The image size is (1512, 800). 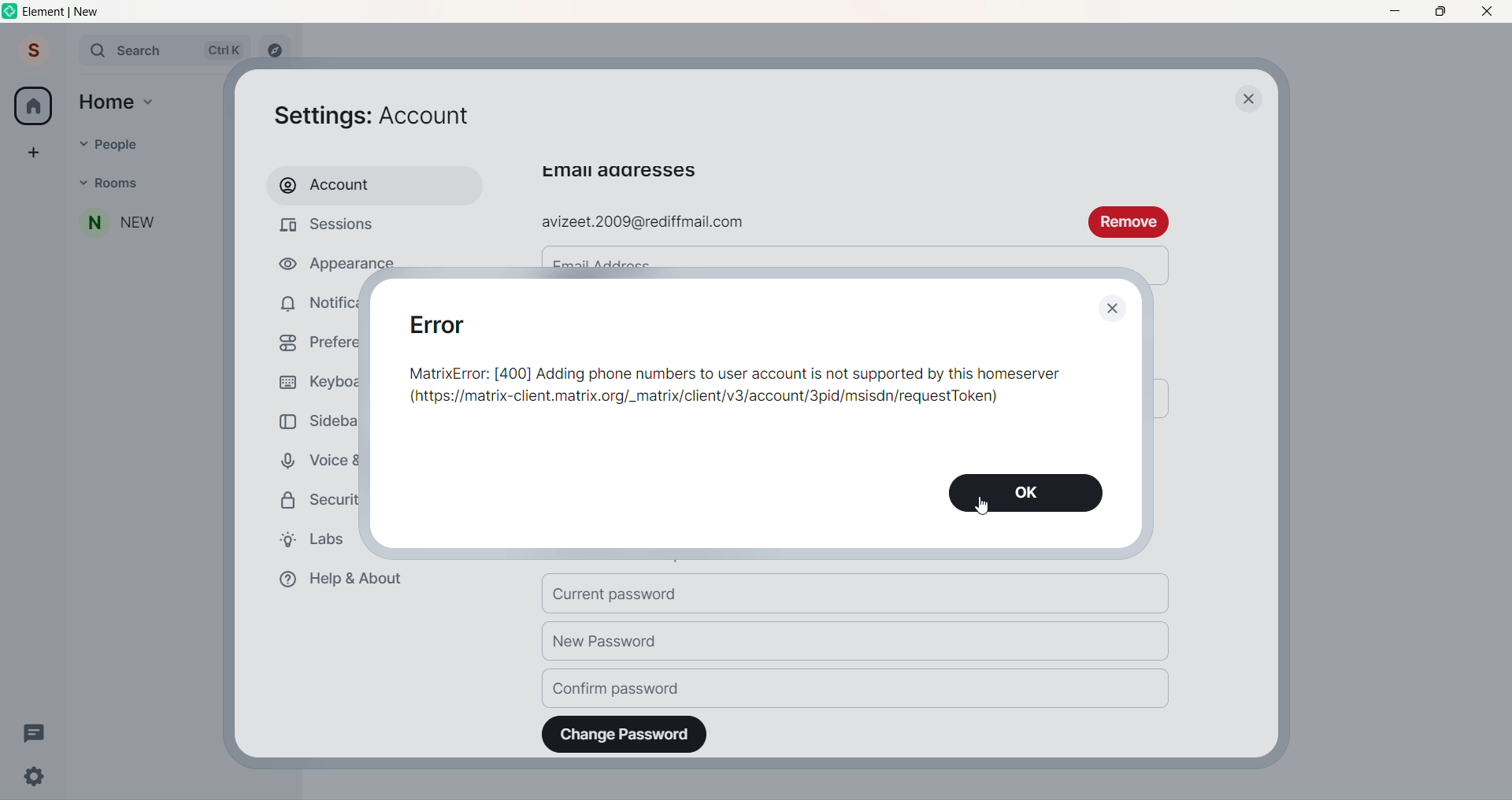 I want to click on Search Bar, so click(x=164, y=50).